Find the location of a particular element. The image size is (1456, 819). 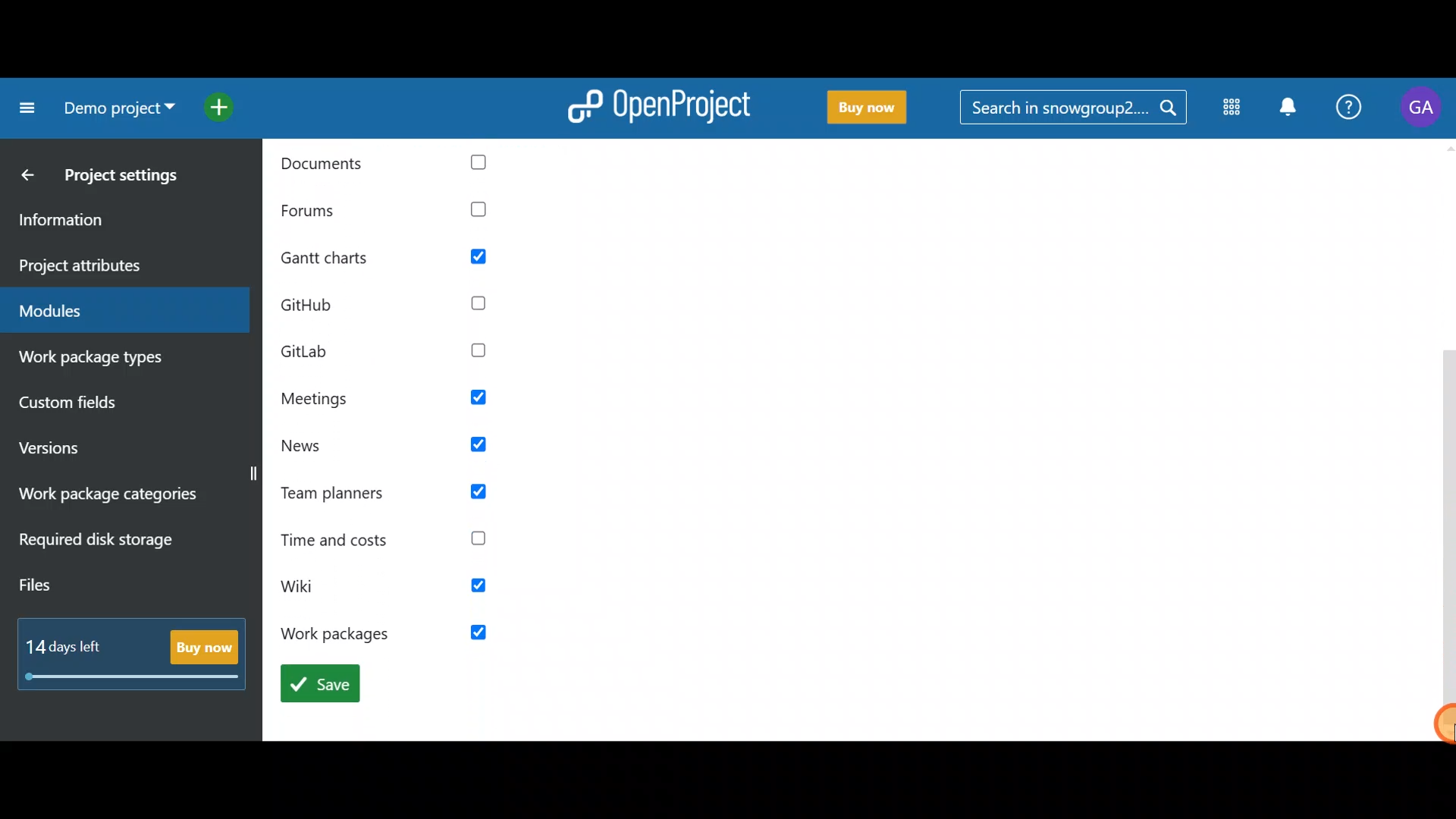

Search bar is located at coordinates (1072, 111).